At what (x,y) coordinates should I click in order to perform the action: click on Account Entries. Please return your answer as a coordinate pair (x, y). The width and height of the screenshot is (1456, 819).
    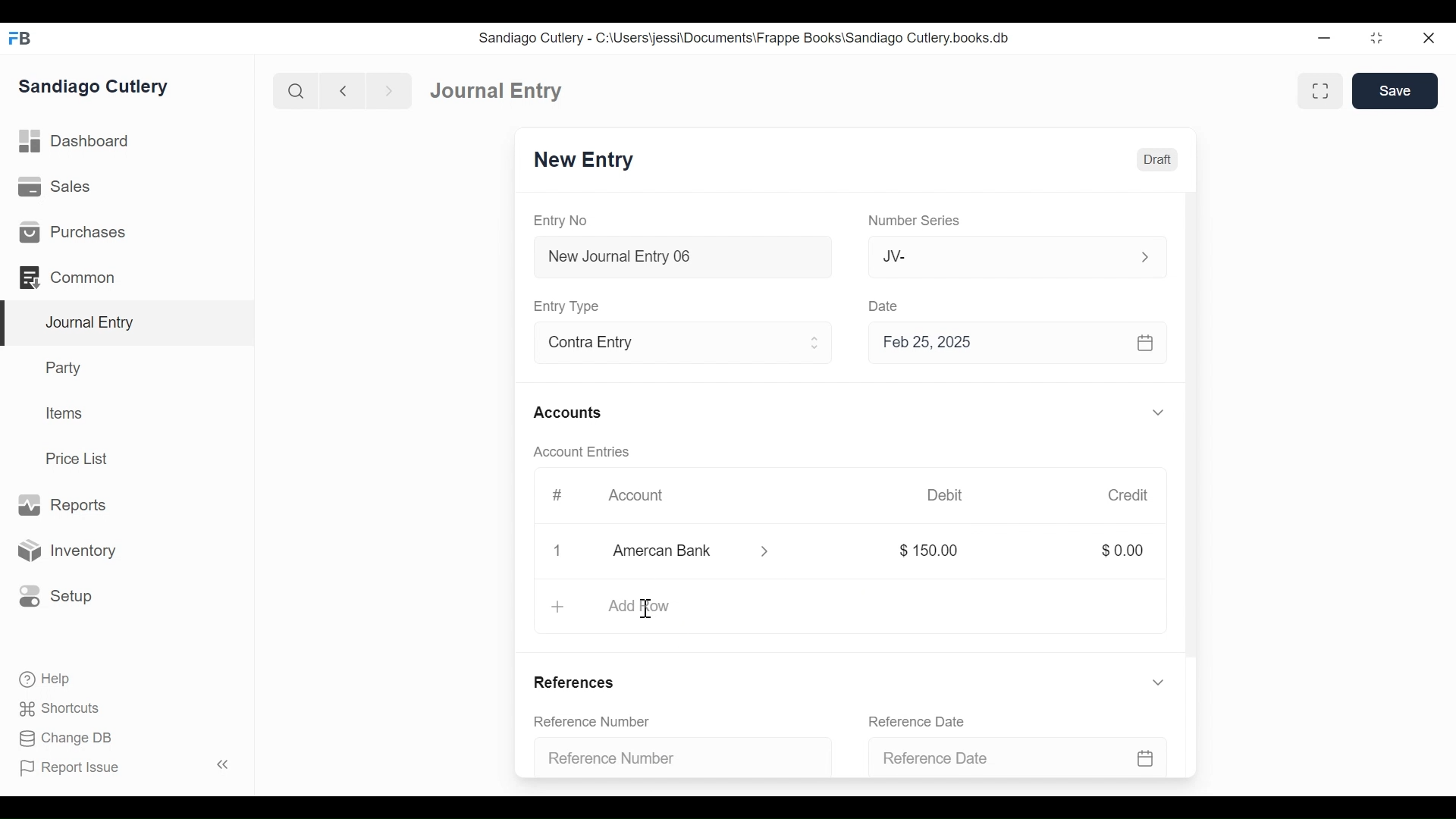
    Looking at the image, I should click on (585, 452).